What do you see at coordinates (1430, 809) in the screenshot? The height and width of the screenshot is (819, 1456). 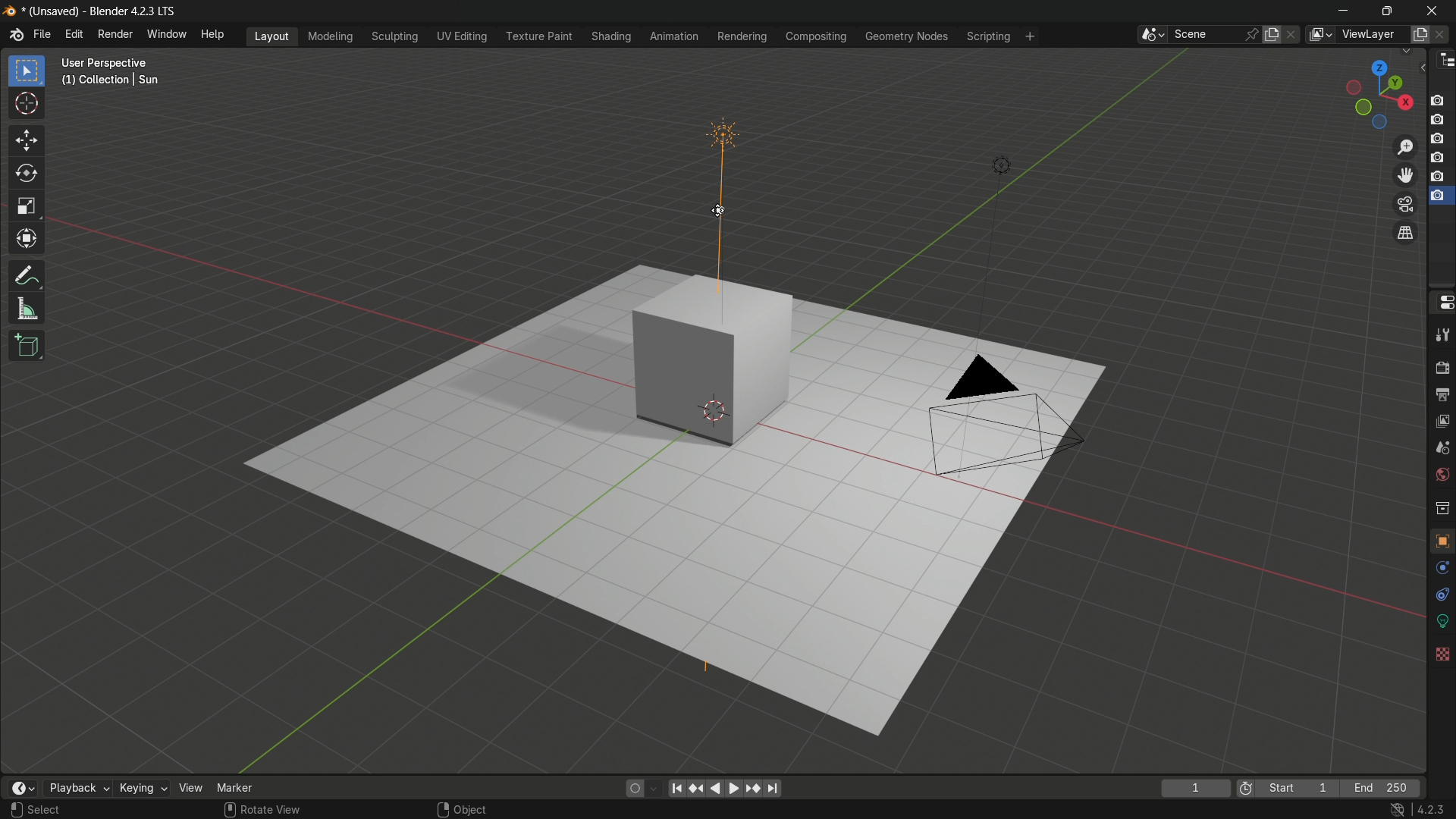 I see `4.2.3` at bounding box center [1430, 809].